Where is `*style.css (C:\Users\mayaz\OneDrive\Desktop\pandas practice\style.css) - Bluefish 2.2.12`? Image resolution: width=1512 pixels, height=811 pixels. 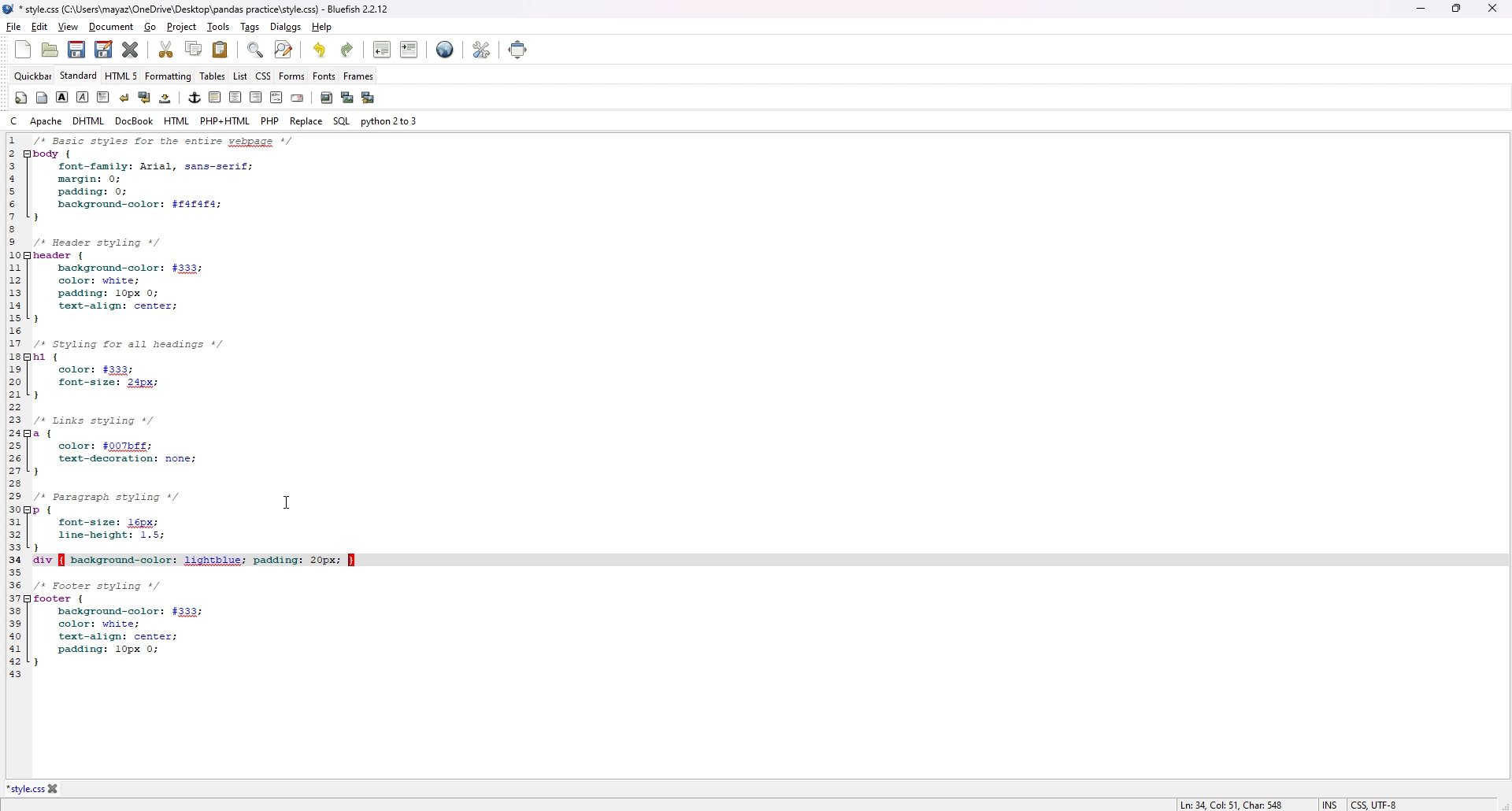 *style.css (C:\Users\mayaz\OneDrive\Desktop\pandas practice\style.css) - Bluefish 2.2.12 is located at coordinates (208, 8).